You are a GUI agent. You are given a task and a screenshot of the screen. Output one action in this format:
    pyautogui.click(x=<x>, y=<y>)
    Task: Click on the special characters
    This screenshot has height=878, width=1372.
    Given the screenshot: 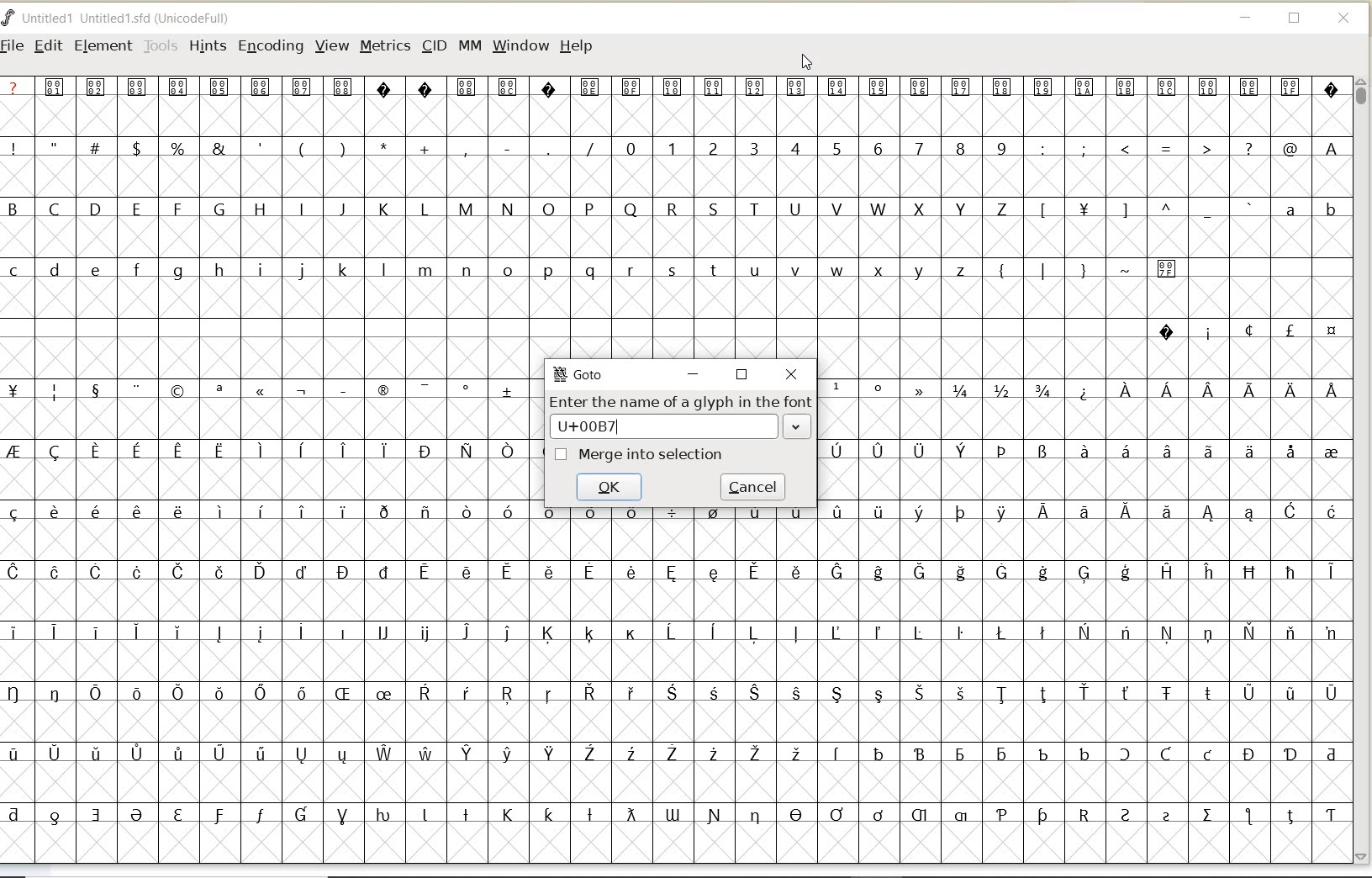 What is the action you would take?
    pyautogui.click(x=1079, y=441)
    